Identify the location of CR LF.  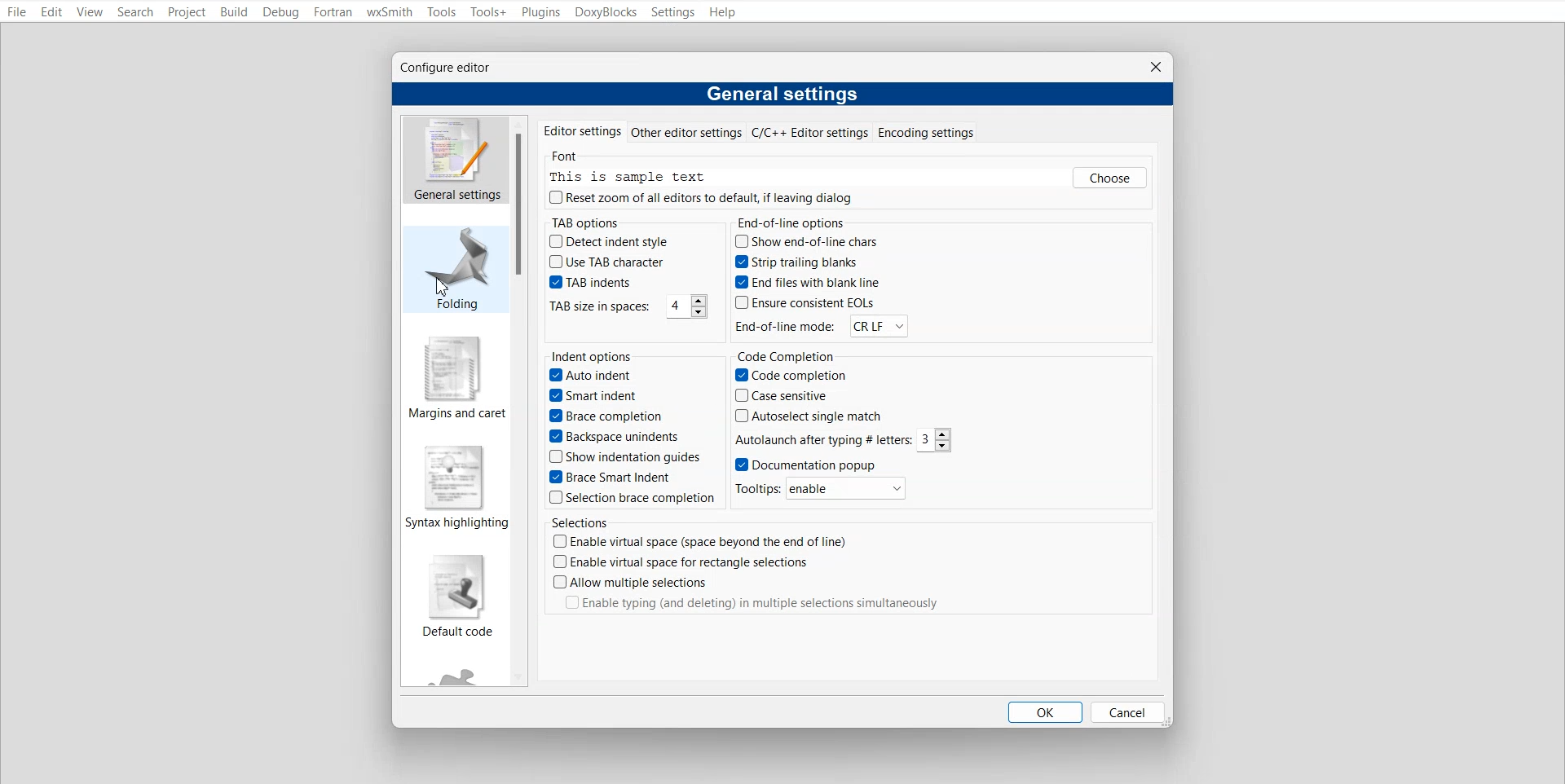
(876, 328).